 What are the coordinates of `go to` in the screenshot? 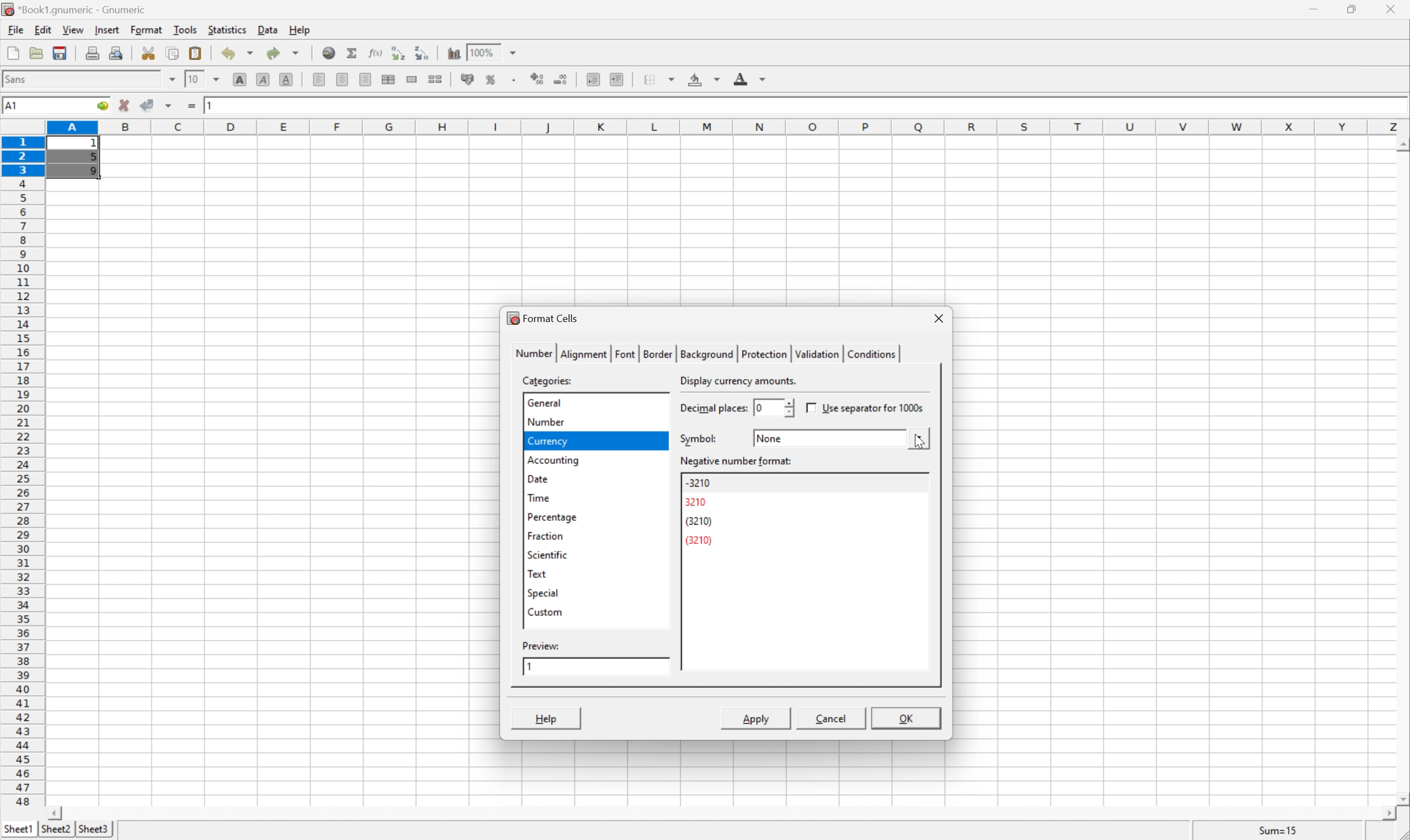 It's located at (102, 106).